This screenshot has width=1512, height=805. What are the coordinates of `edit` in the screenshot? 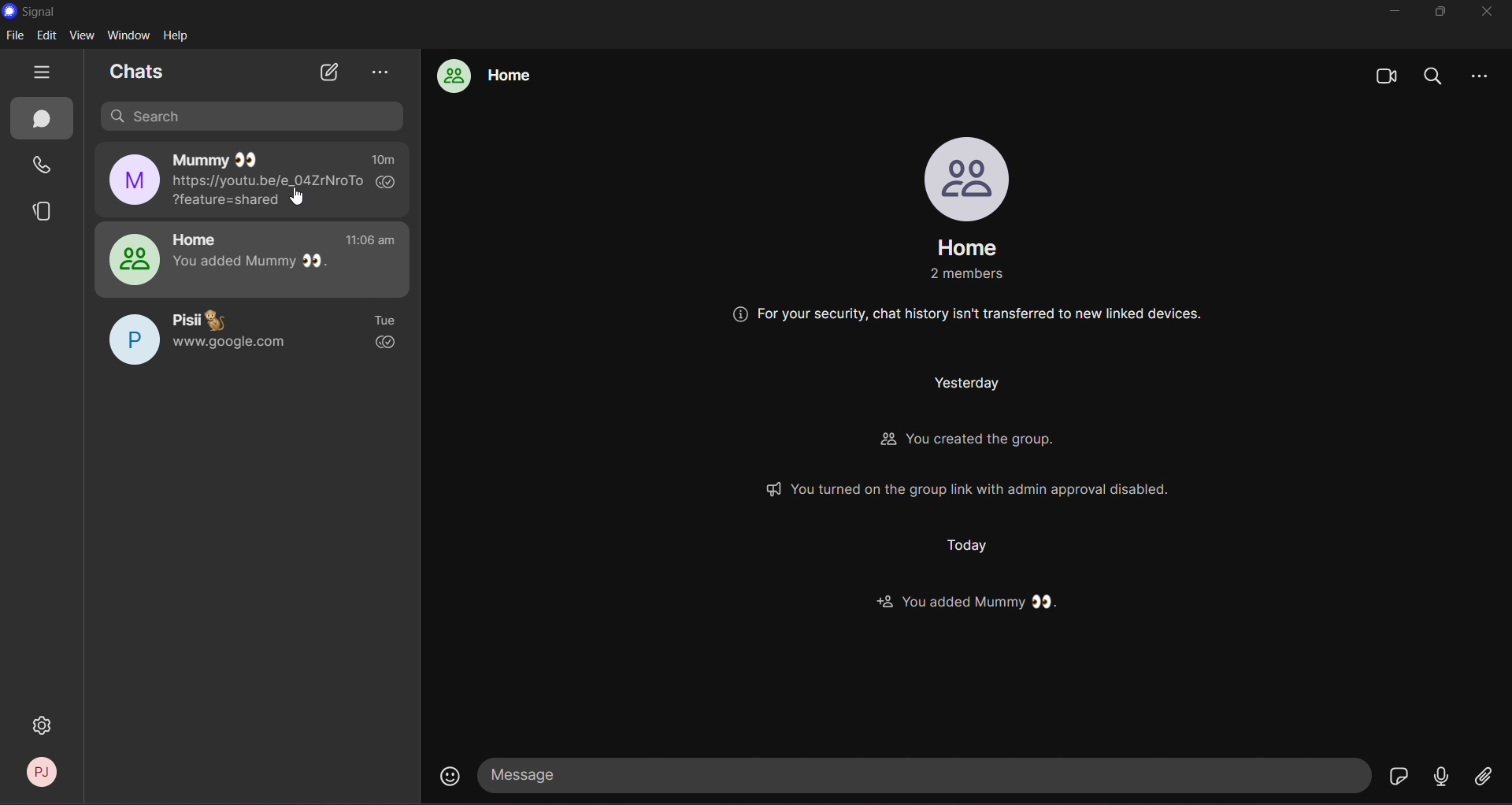 It's located at (46, 37).